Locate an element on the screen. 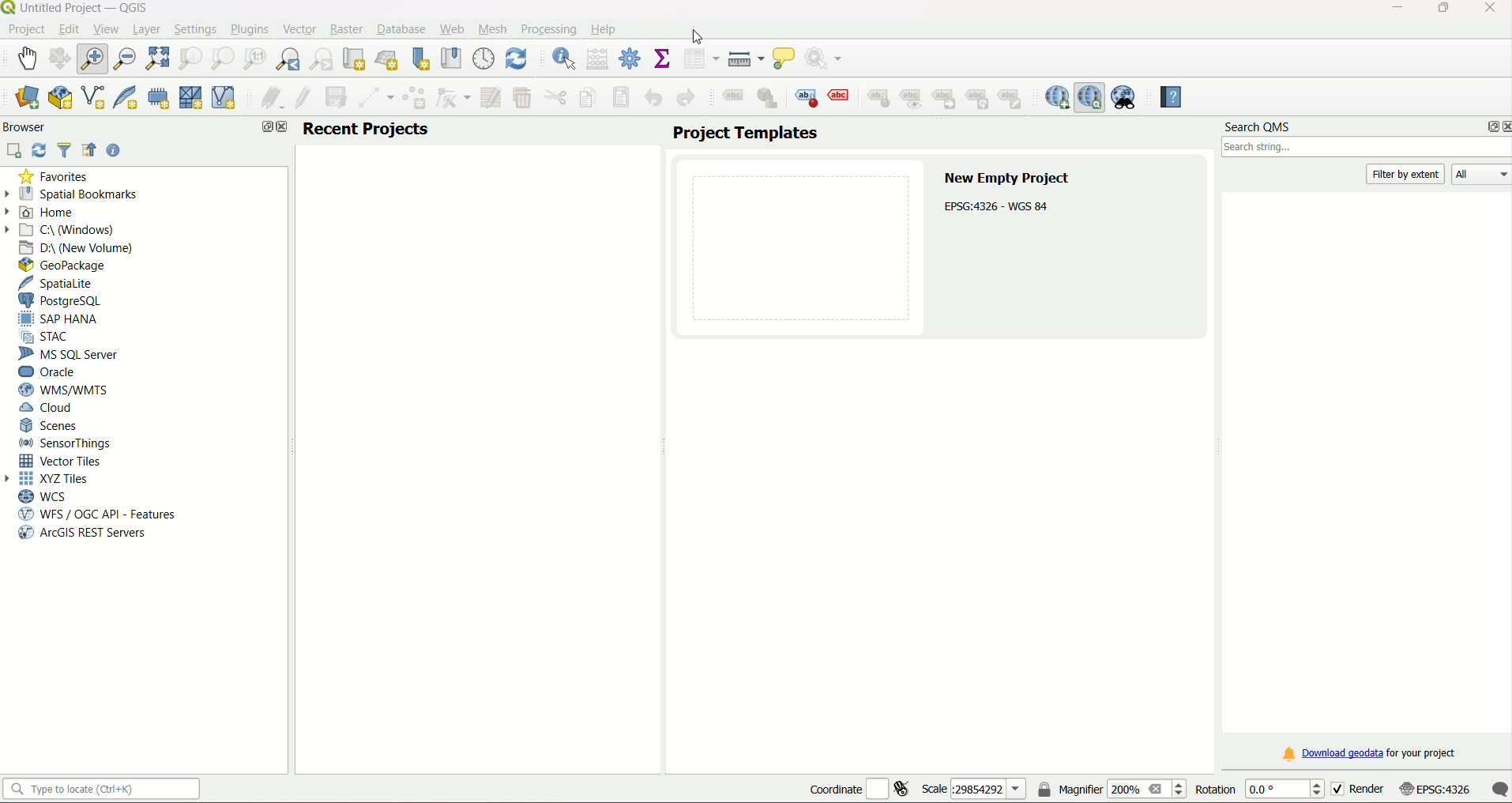 This screenshot has height=803, width=1512. favourites is located at coordinates (56, 177).